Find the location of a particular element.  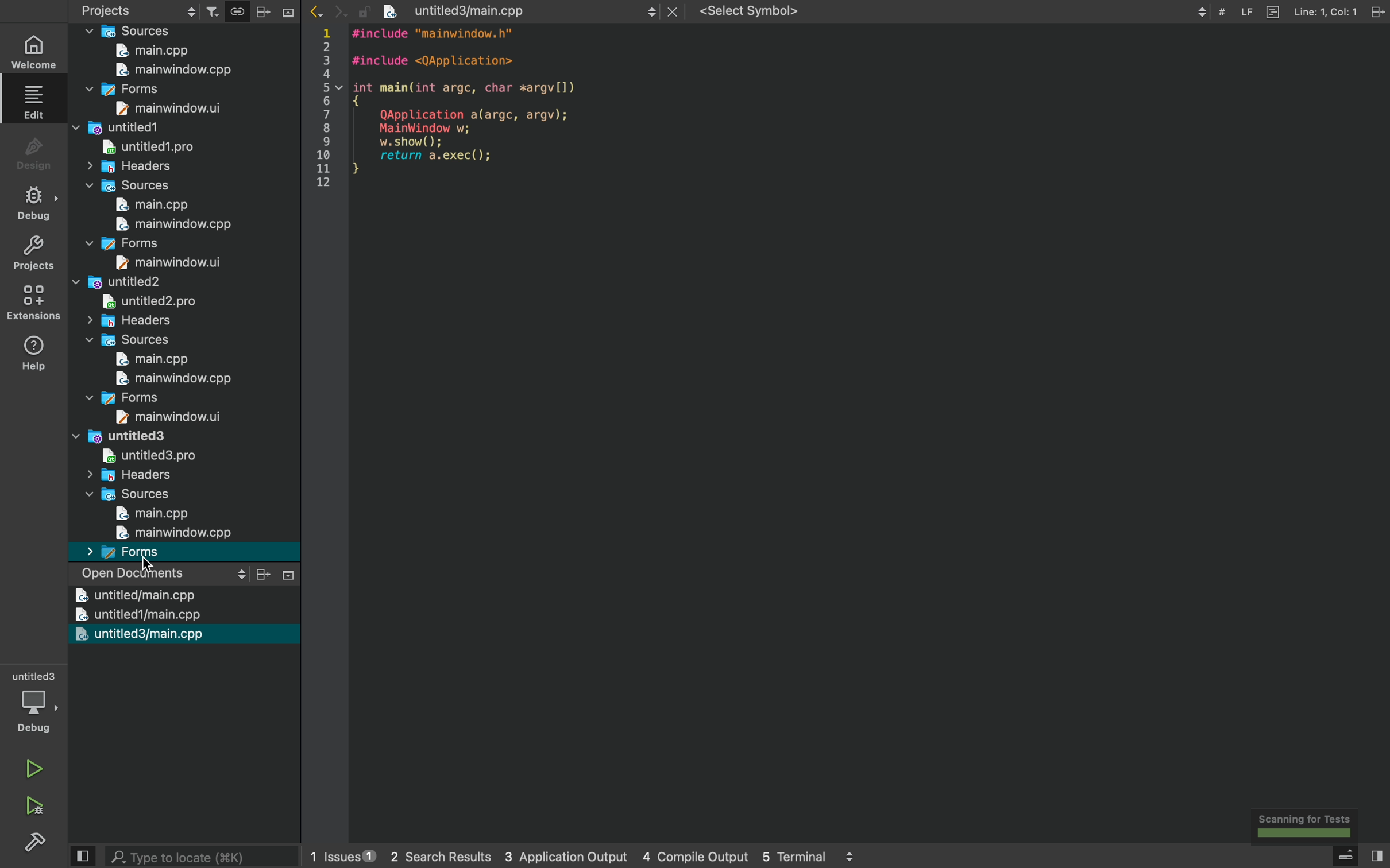

home is located at coordinates (36, 52).